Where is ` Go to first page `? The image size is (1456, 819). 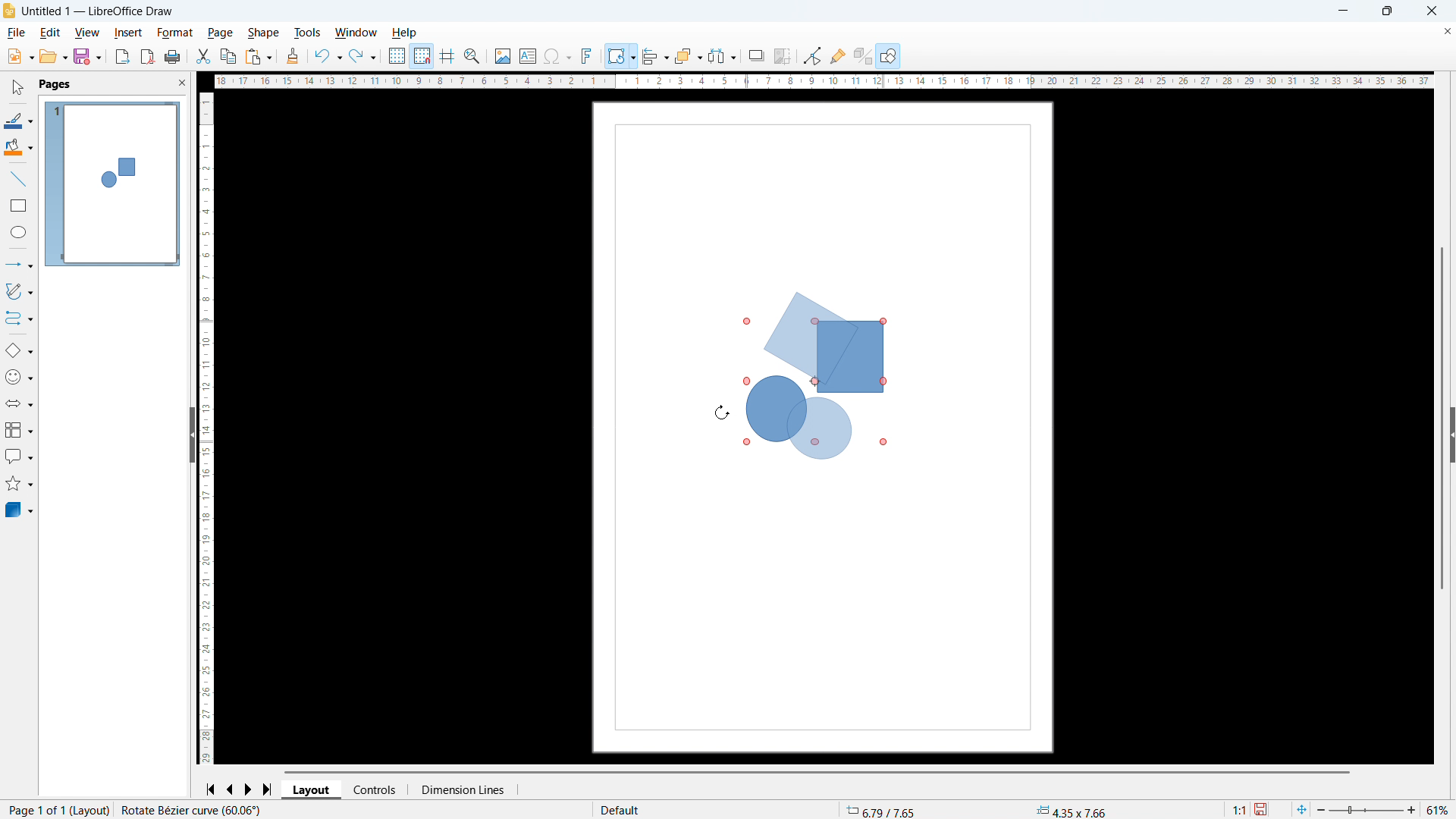
 Go to first page  is located at coordinates (212, 790).